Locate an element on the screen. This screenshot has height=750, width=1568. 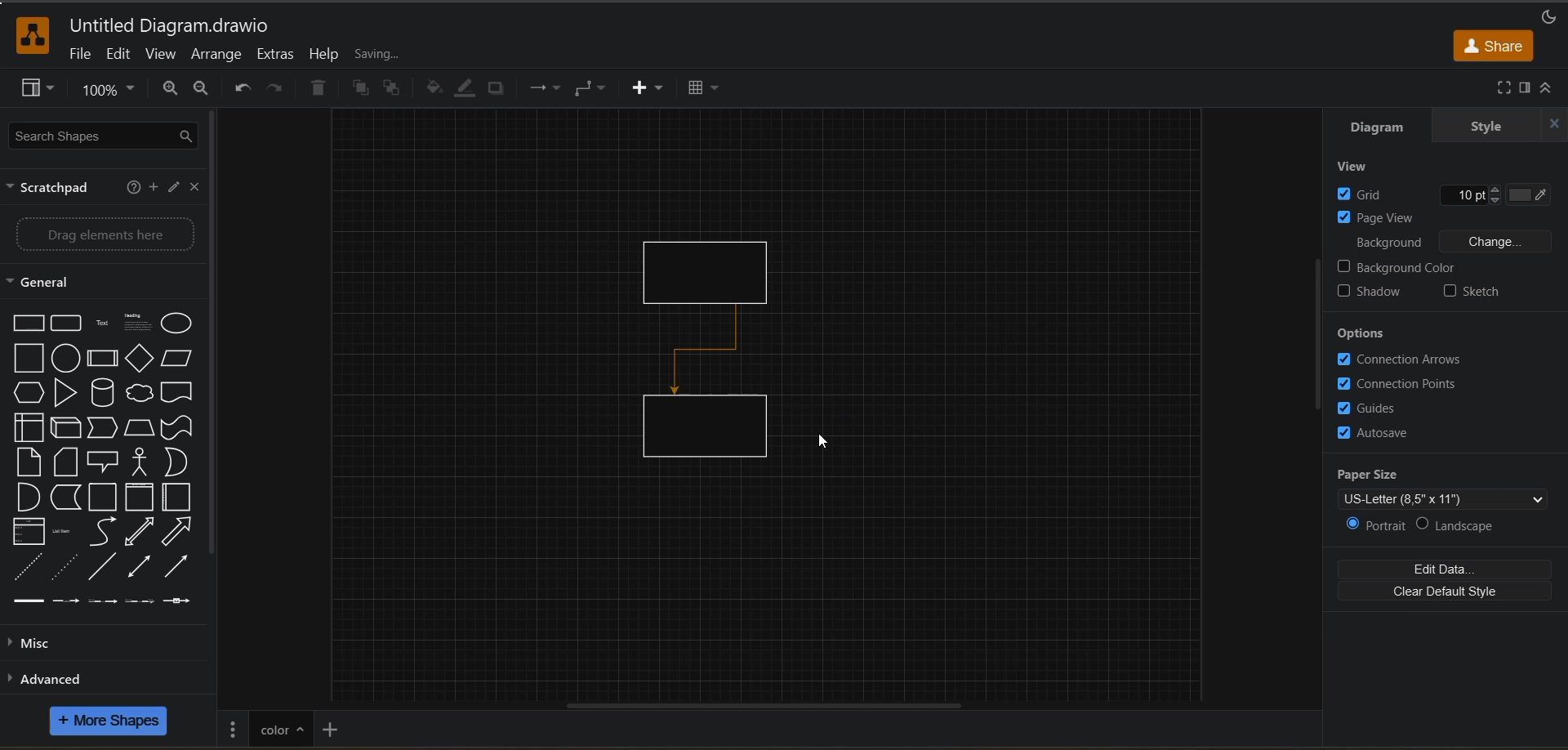
Circle is located at coordinates (65, 359).